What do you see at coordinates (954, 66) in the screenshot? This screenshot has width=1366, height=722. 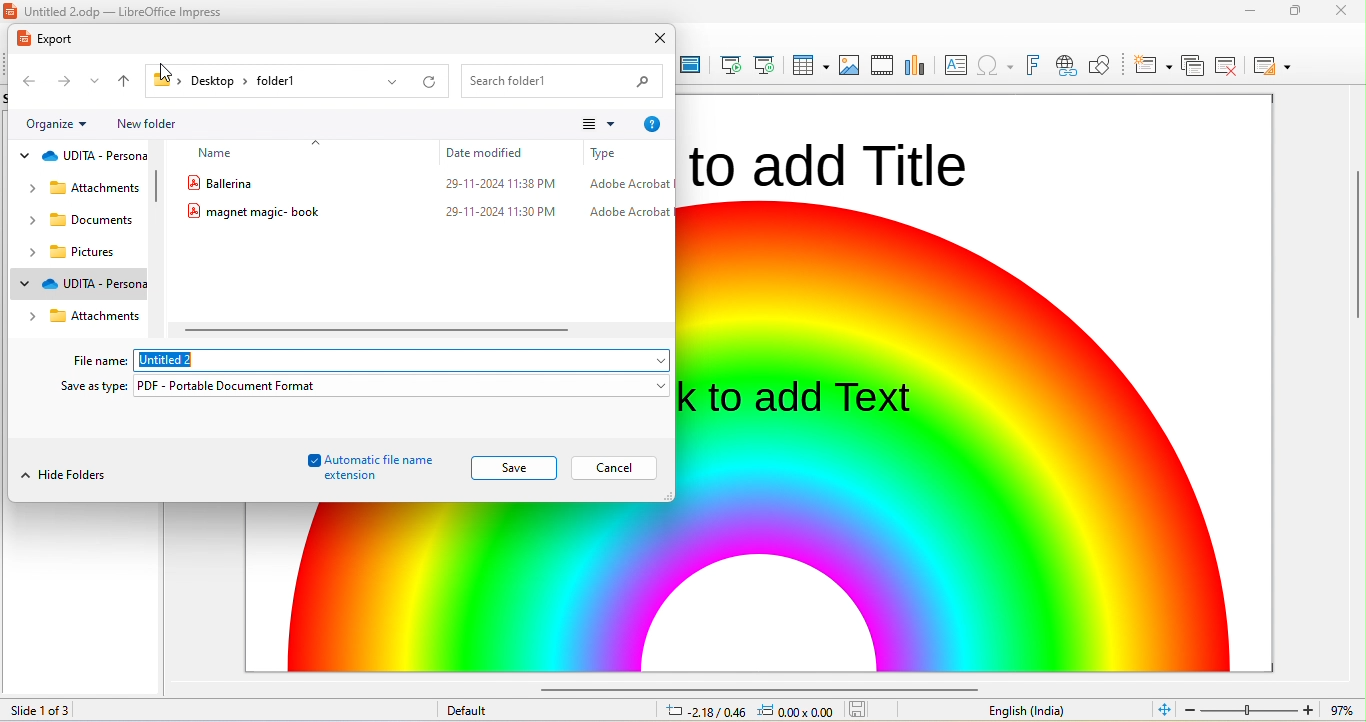 I see `textbox` at bounding box center [954, 66].